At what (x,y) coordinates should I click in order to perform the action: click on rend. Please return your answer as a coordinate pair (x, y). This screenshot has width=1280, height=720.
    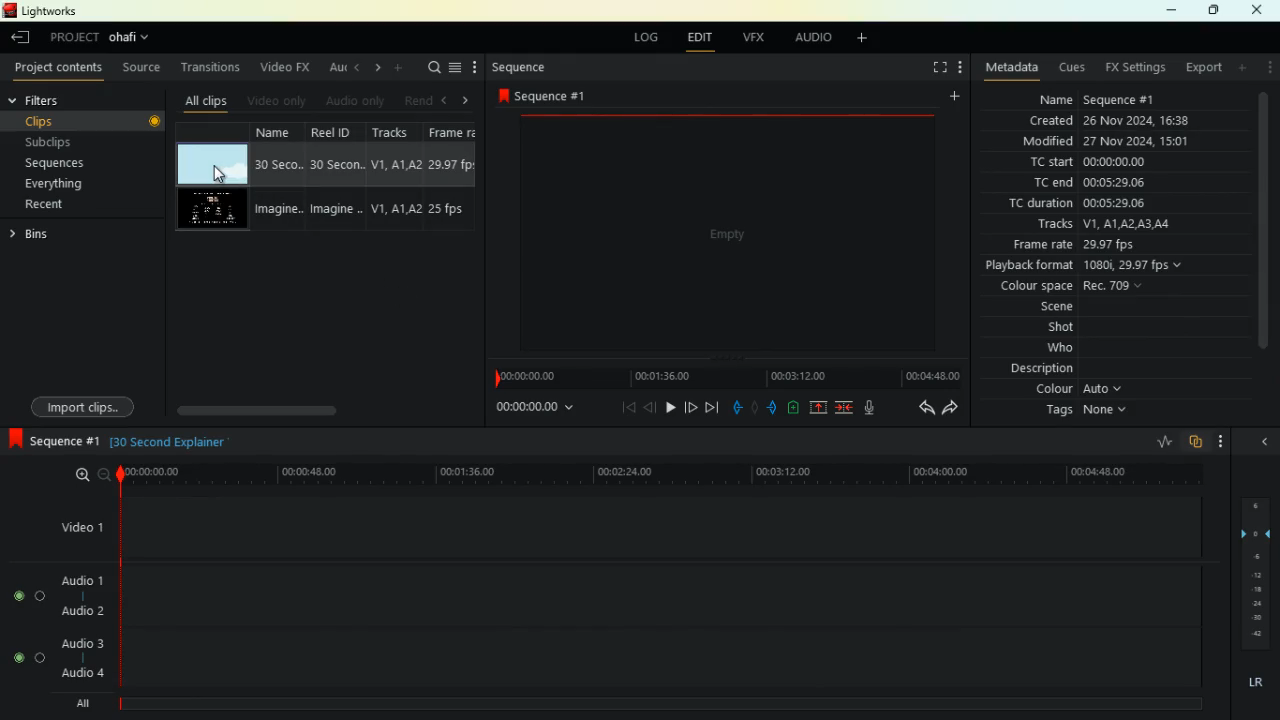
    Looking at the image, I should click on (420, 101).